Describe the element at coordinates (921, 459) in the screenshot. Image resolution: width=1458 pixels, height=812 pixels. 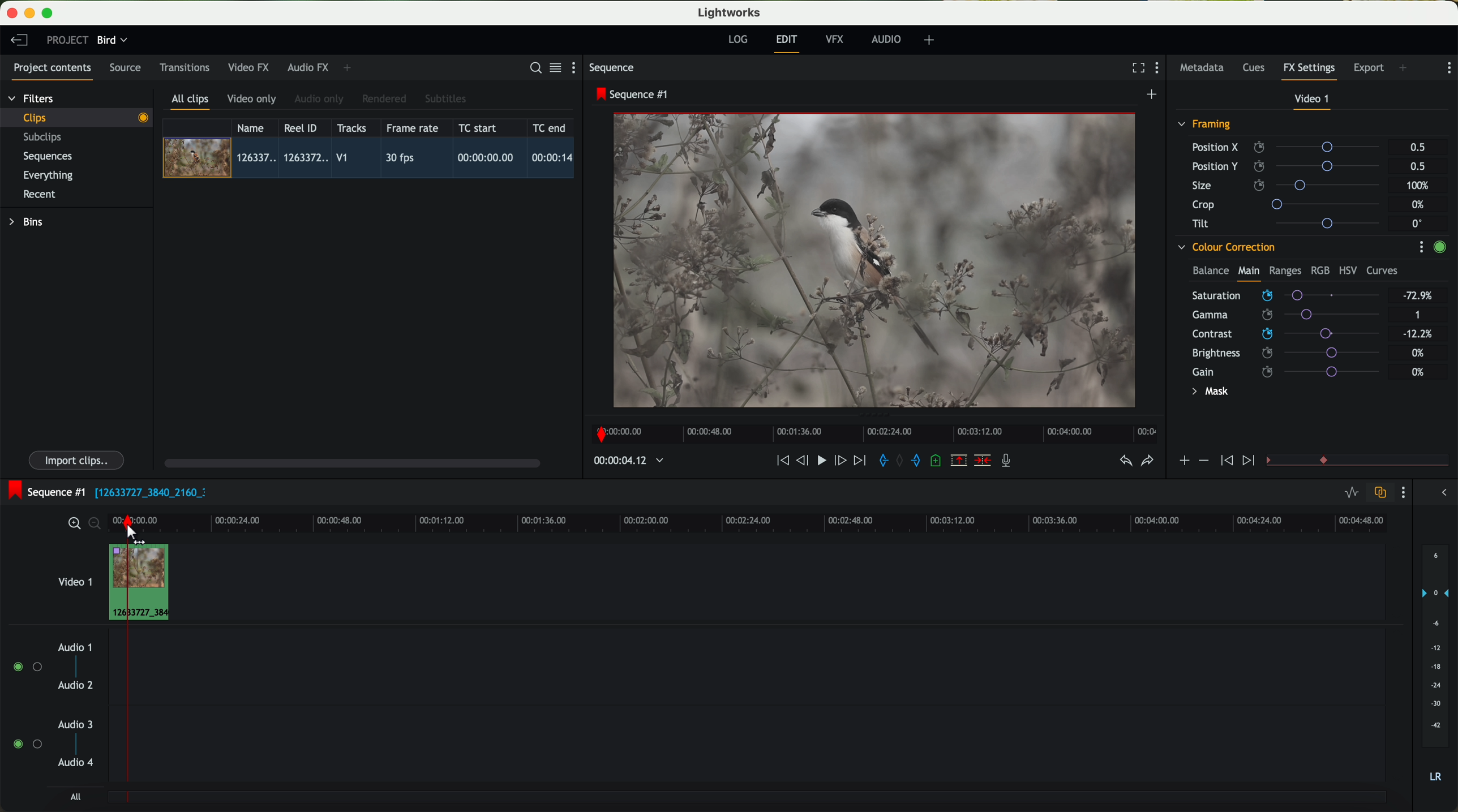
I see `add 'out' mark` at that location.